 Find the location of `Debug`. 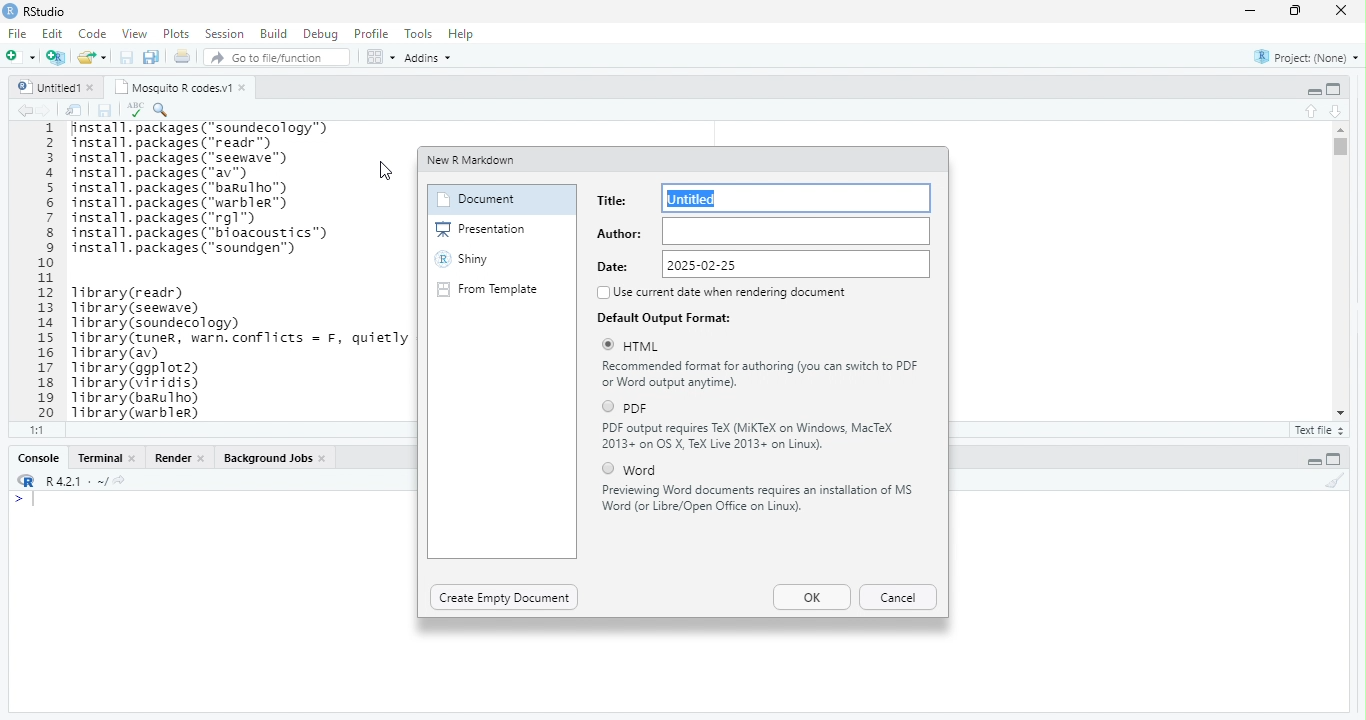

Debug is located at coordinates (323, 35).